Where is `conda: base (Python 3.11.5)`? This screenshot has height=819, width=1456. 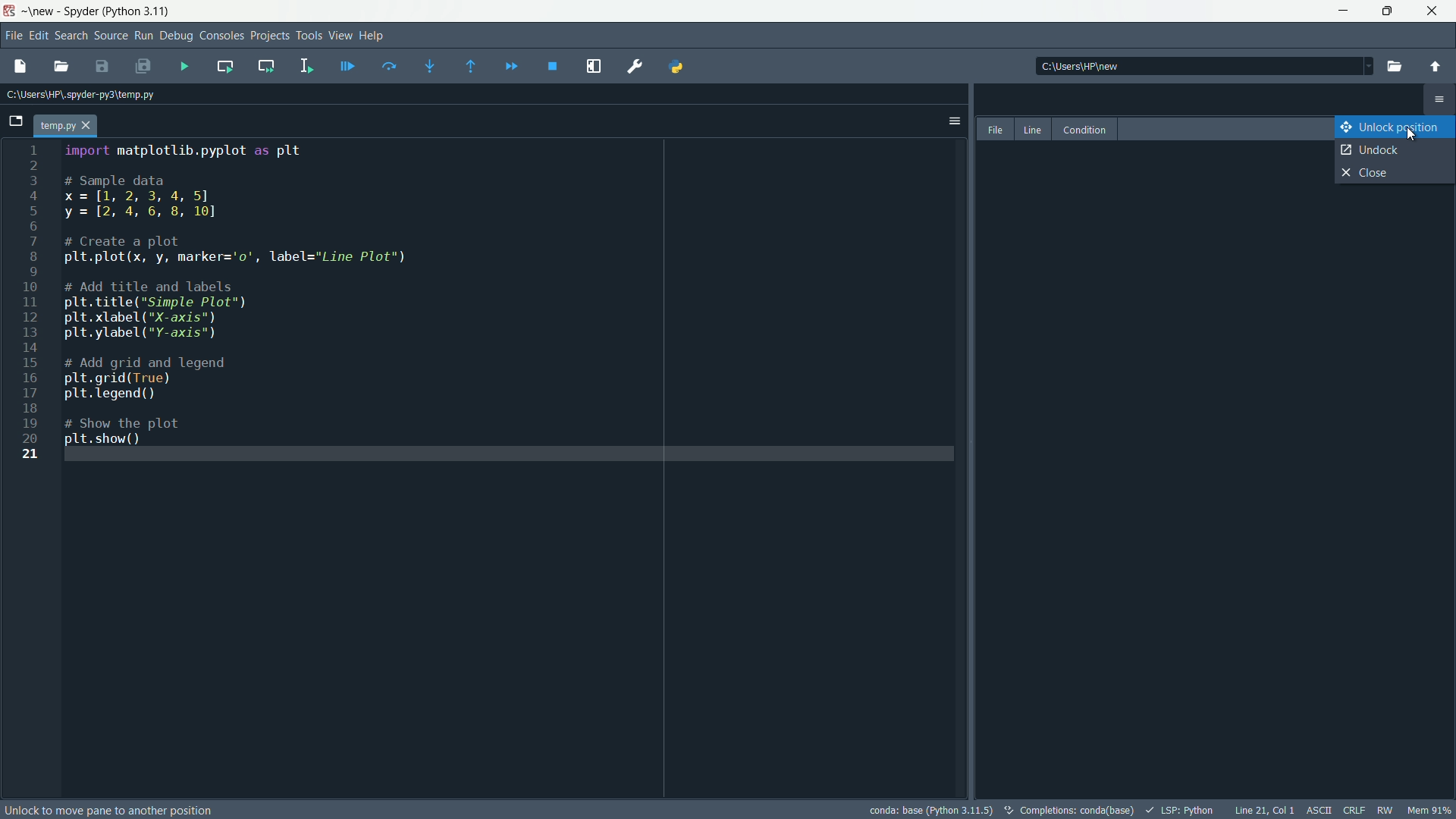
conda: base (Python 3.11.5) is located at coordinates (931, 808).